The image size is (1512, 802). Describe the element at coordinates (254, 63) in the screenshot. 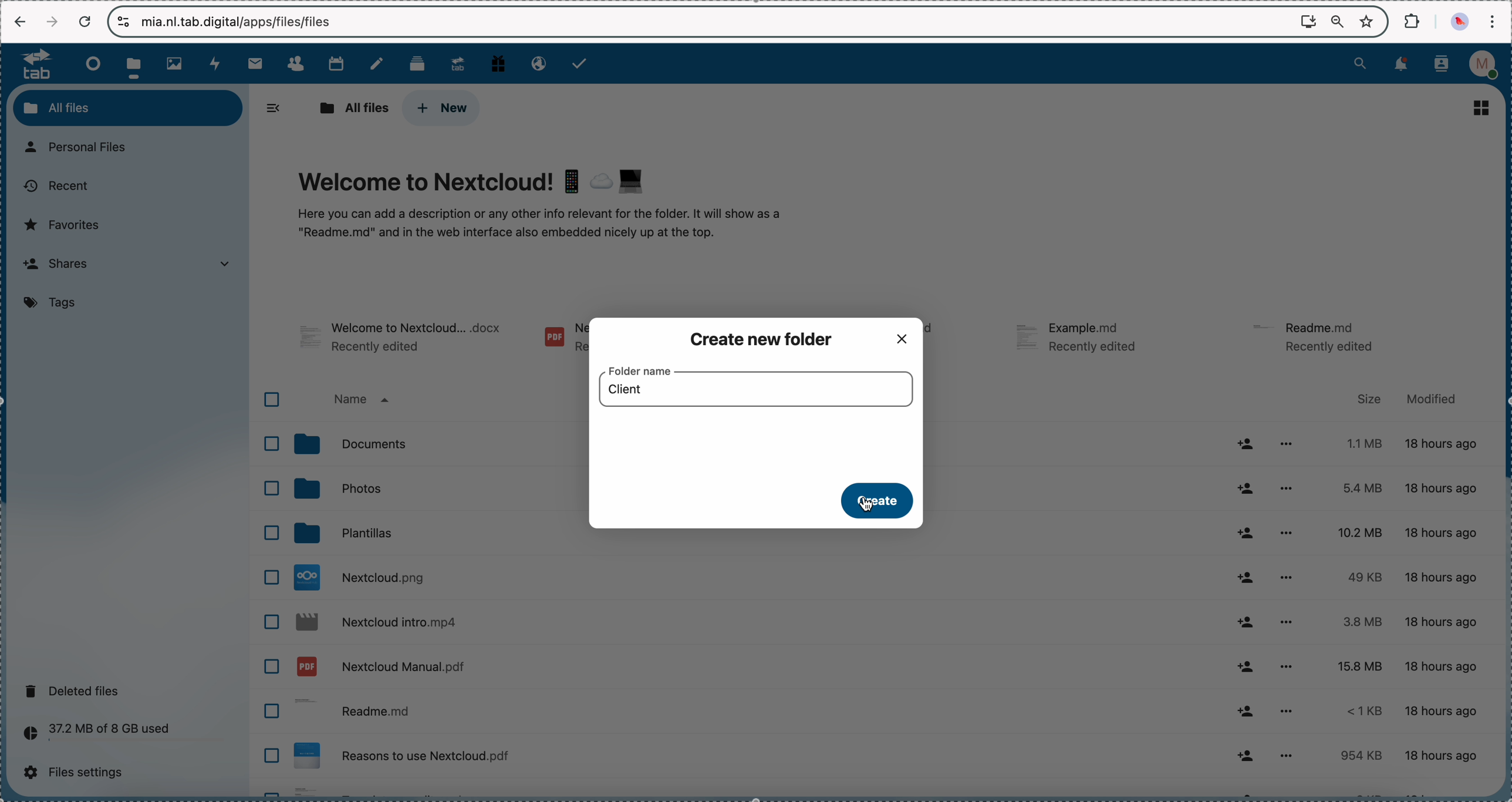

I see `mail` at that location.